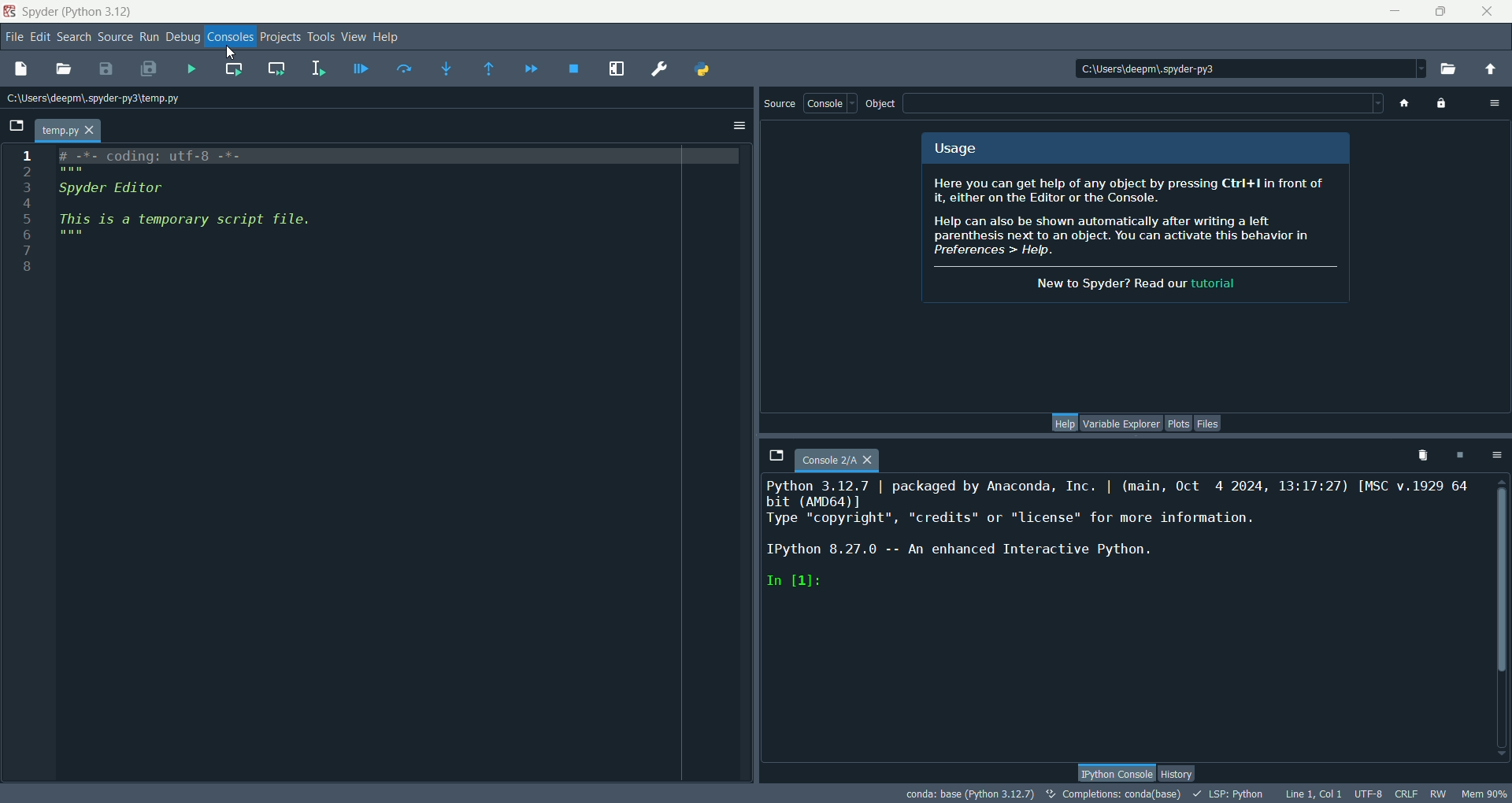 This screenshot has height=803, width=1512. Describe the element at coordinates (114, 39) in the screenshot. I see `source` at that location.